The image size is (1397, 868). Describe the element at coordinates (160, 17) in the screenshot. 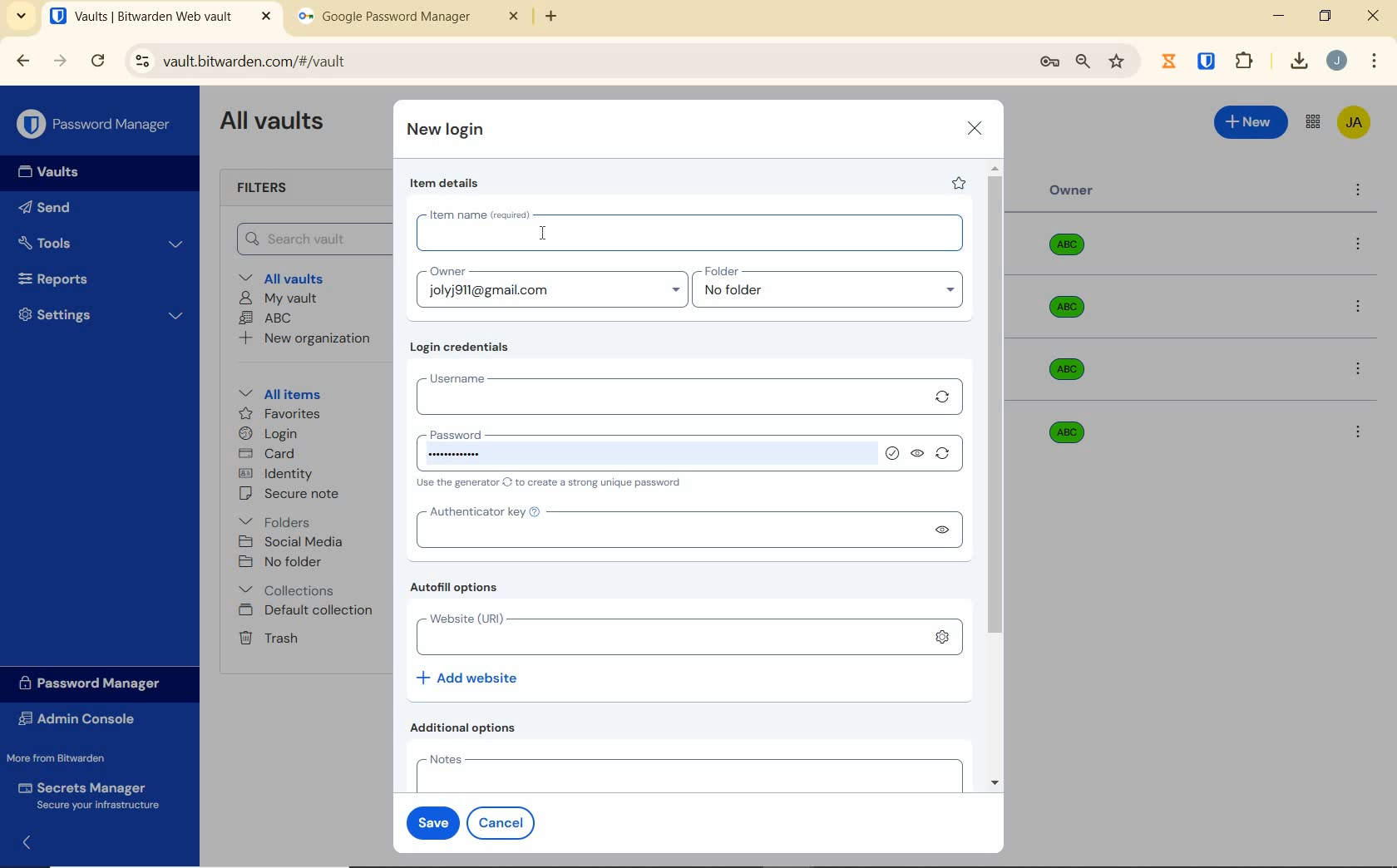

I see `open tab` at that location.